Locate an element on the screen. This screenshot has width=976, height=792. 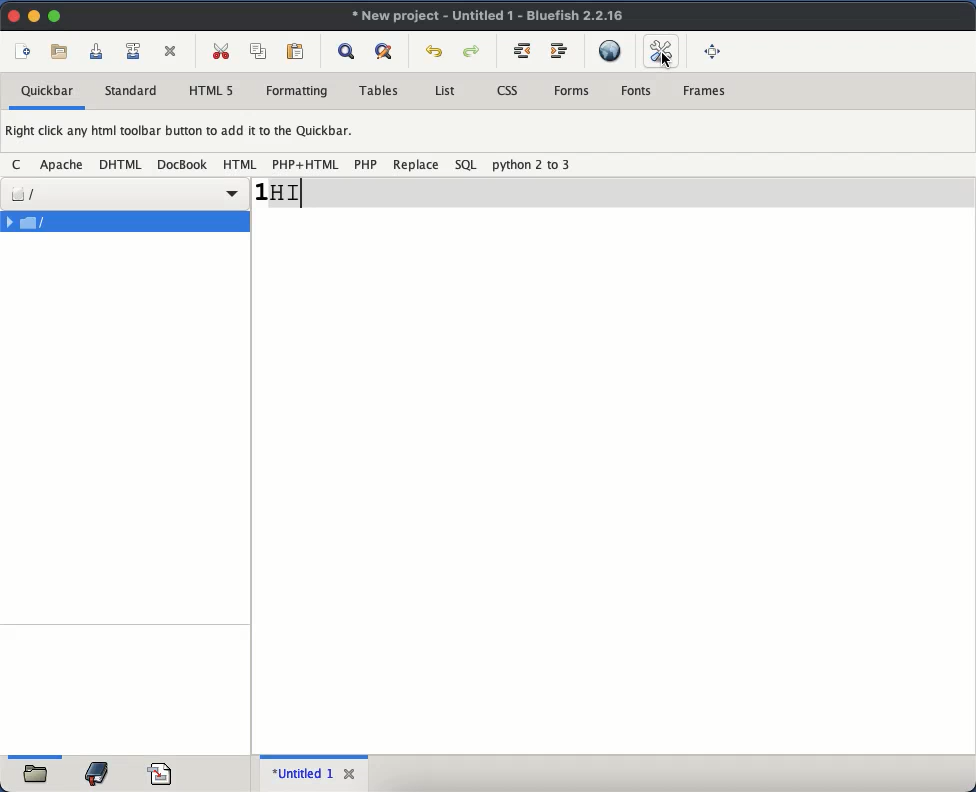
undo is located at coordinates (436, 53).